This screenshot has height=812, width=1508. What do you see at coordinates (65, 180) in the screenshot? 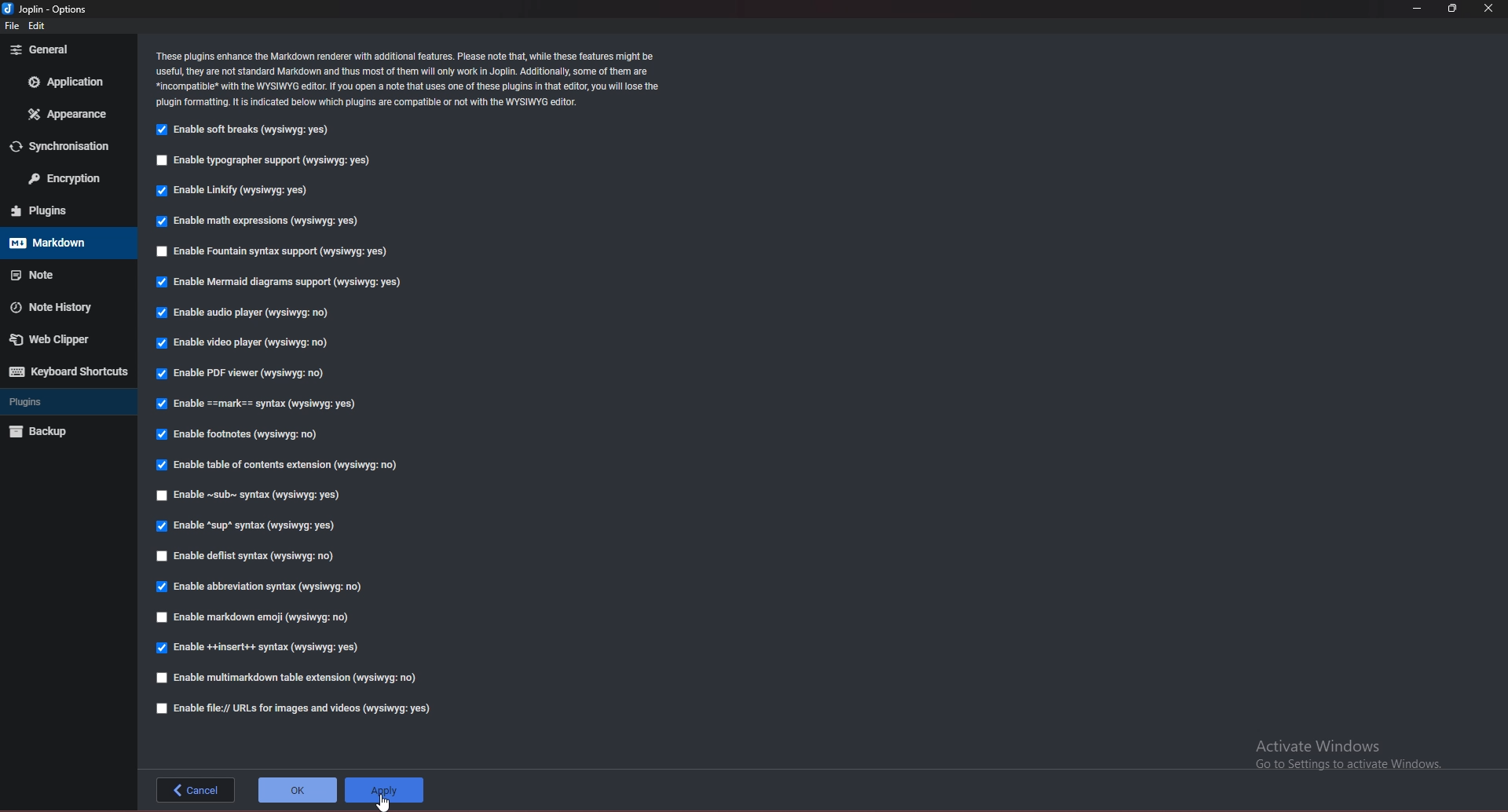
I see `encryption` at bounding box center [65, 180].